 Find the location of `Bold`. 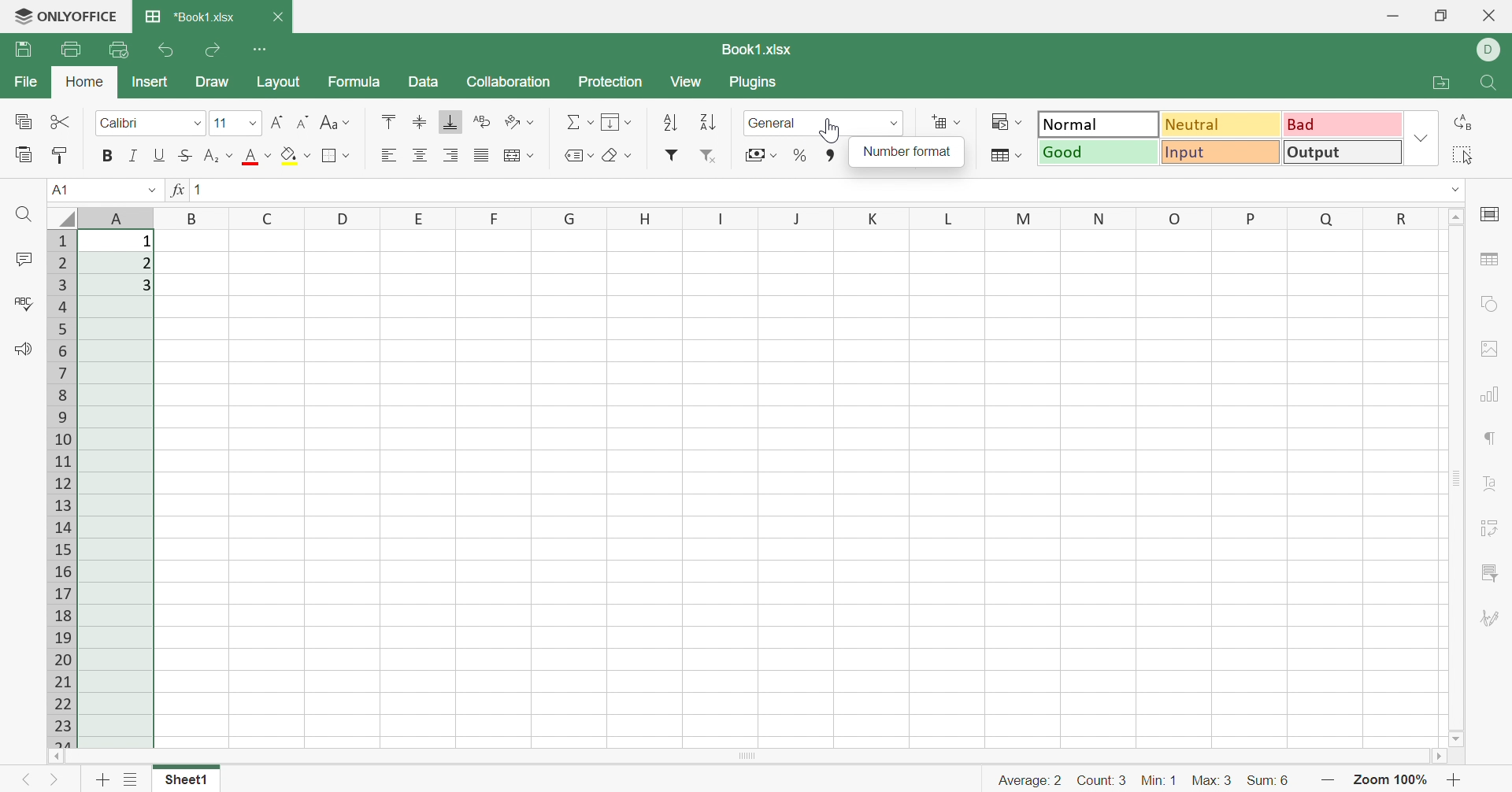

Bold is located at coordinates (109, 154).